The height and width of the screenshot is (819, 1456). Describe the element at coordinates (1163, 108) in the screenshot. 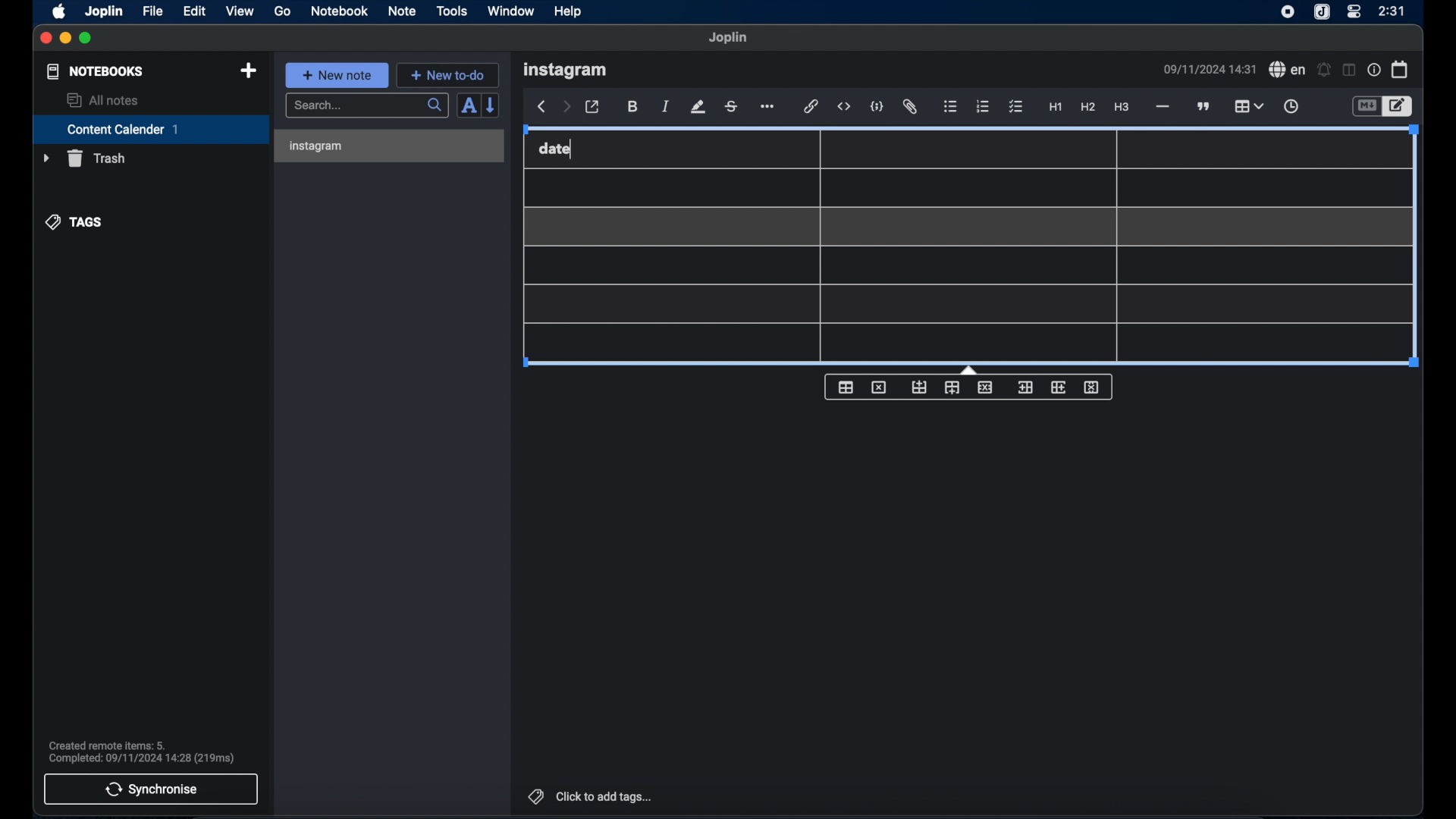

I see `horizontal line` at that location.